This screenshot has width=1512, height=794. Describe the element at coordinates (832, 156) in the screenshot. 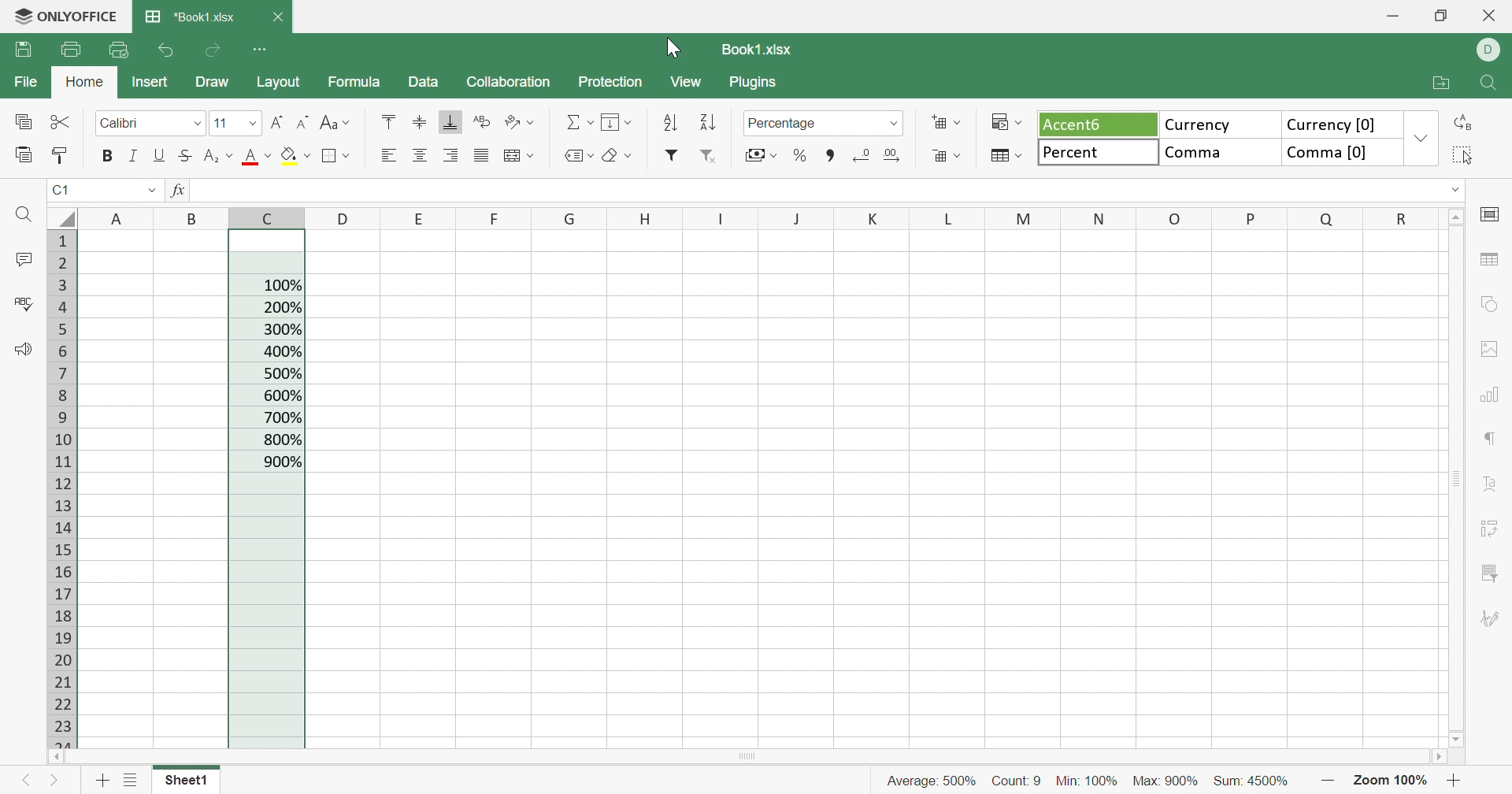

I see `Comma style` at that location.